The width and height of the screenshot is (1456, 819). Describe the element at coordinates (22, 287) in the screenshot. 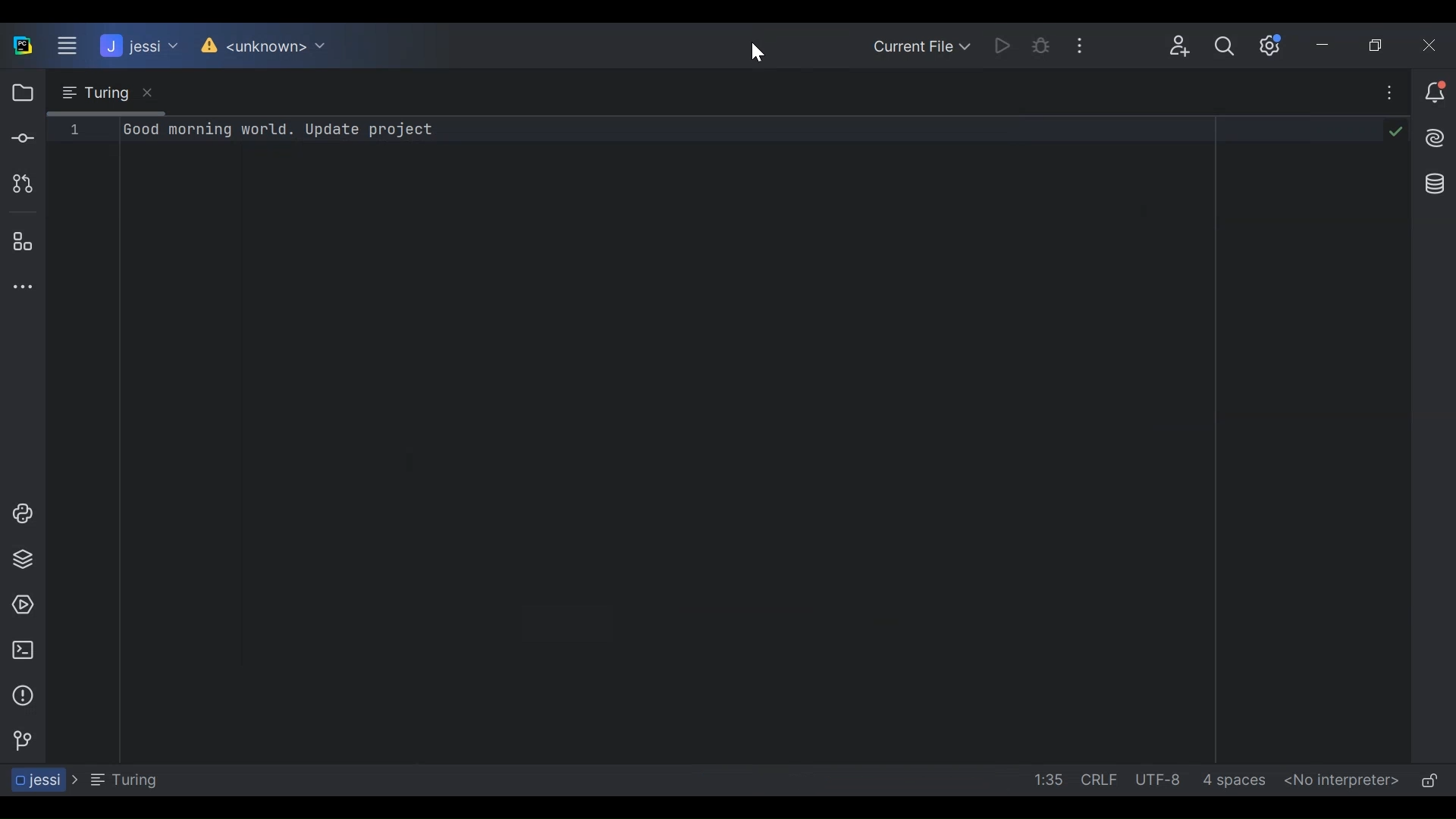

I see `More Tool Window` at that location.